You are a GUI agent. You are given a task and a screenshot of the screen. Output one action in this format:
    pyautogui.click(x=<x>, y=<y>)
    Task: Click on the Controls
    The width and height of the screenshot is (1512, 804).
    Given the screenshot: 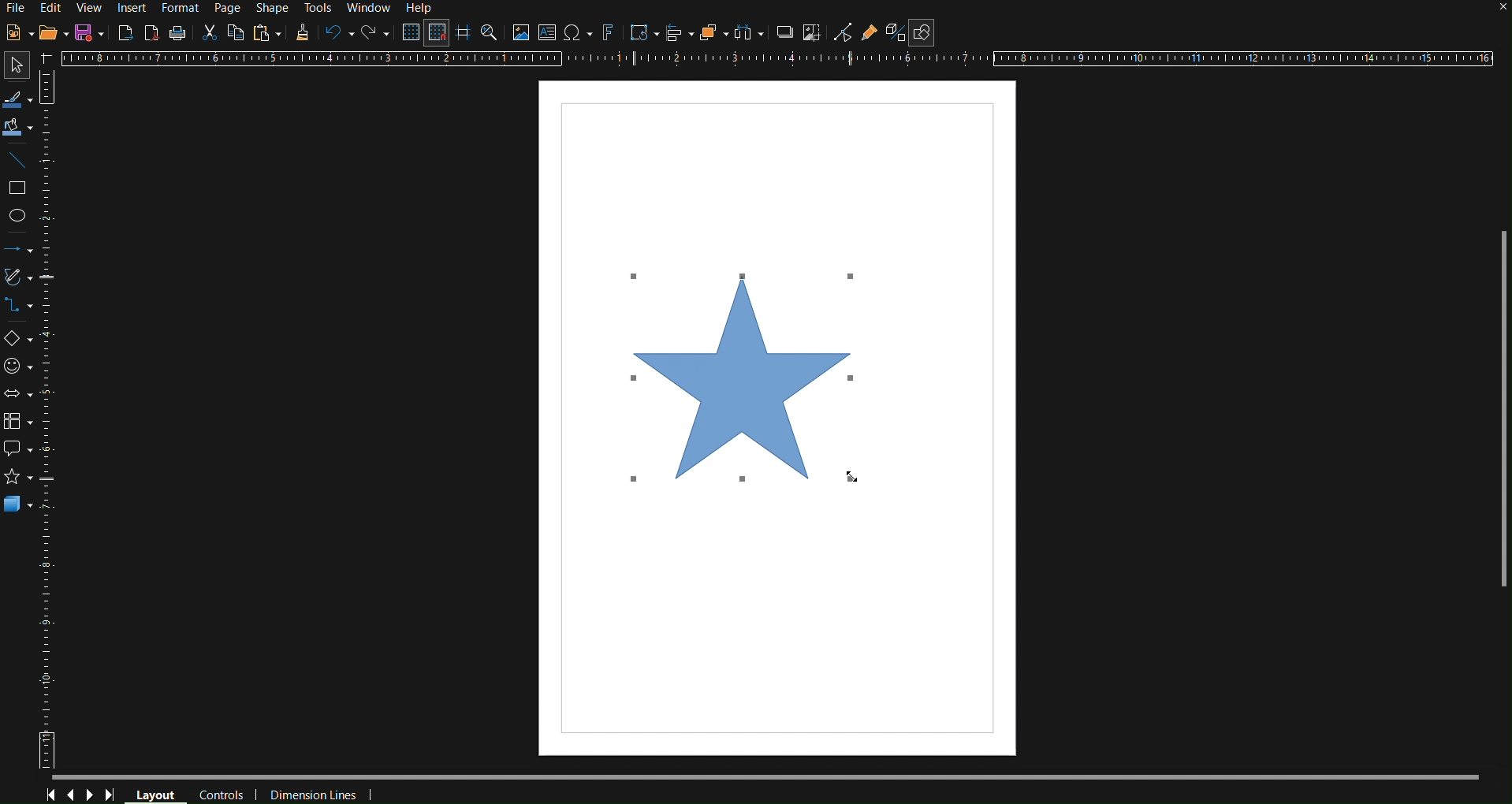 What is the action you would take?
    pyautogui.click(x=221, y=793)
    